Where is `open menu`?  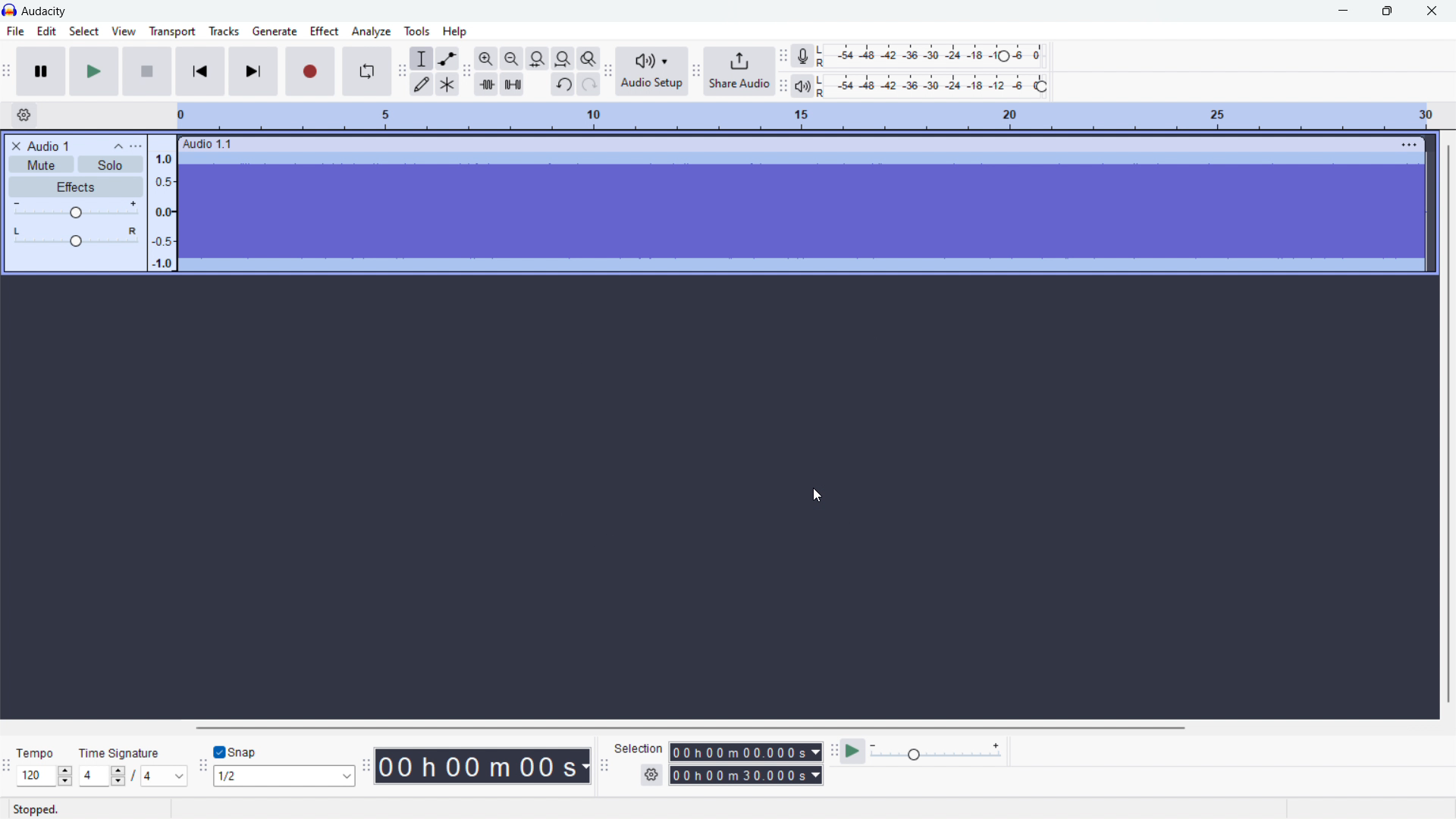
open menu is located at coordinates (136, 146).